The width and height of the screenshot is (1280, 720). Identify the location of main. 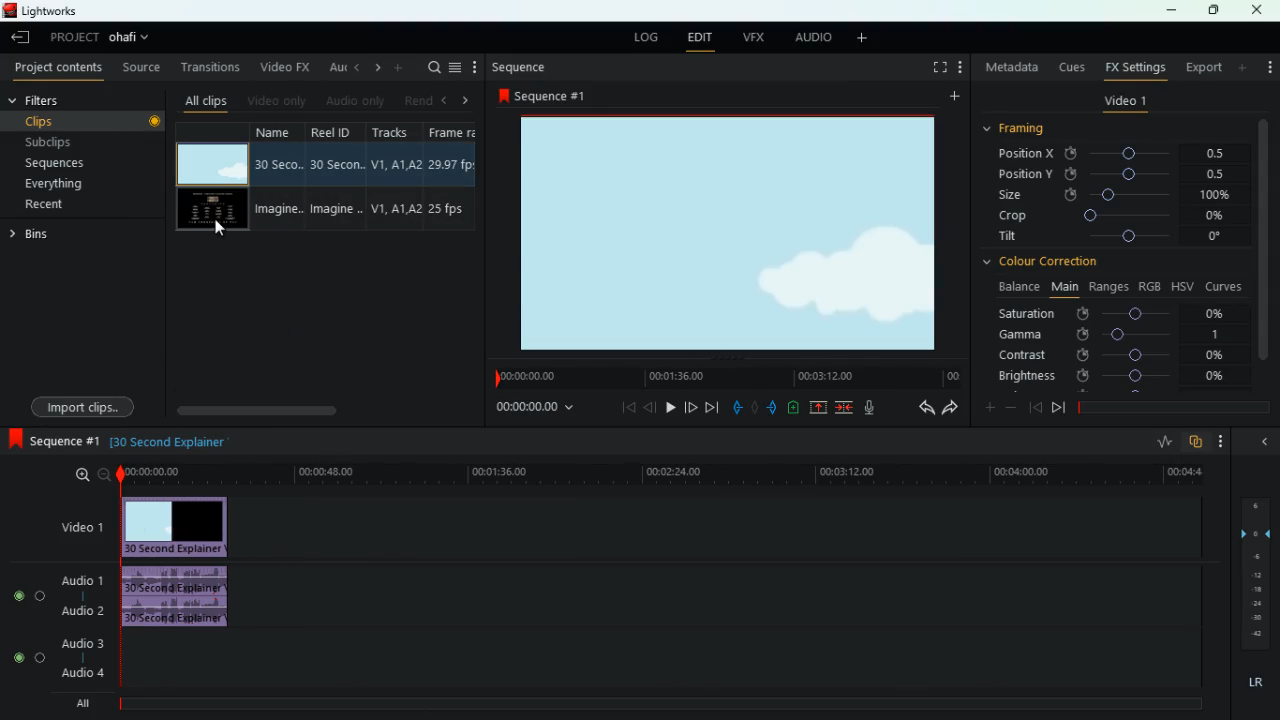
(1064, 285).